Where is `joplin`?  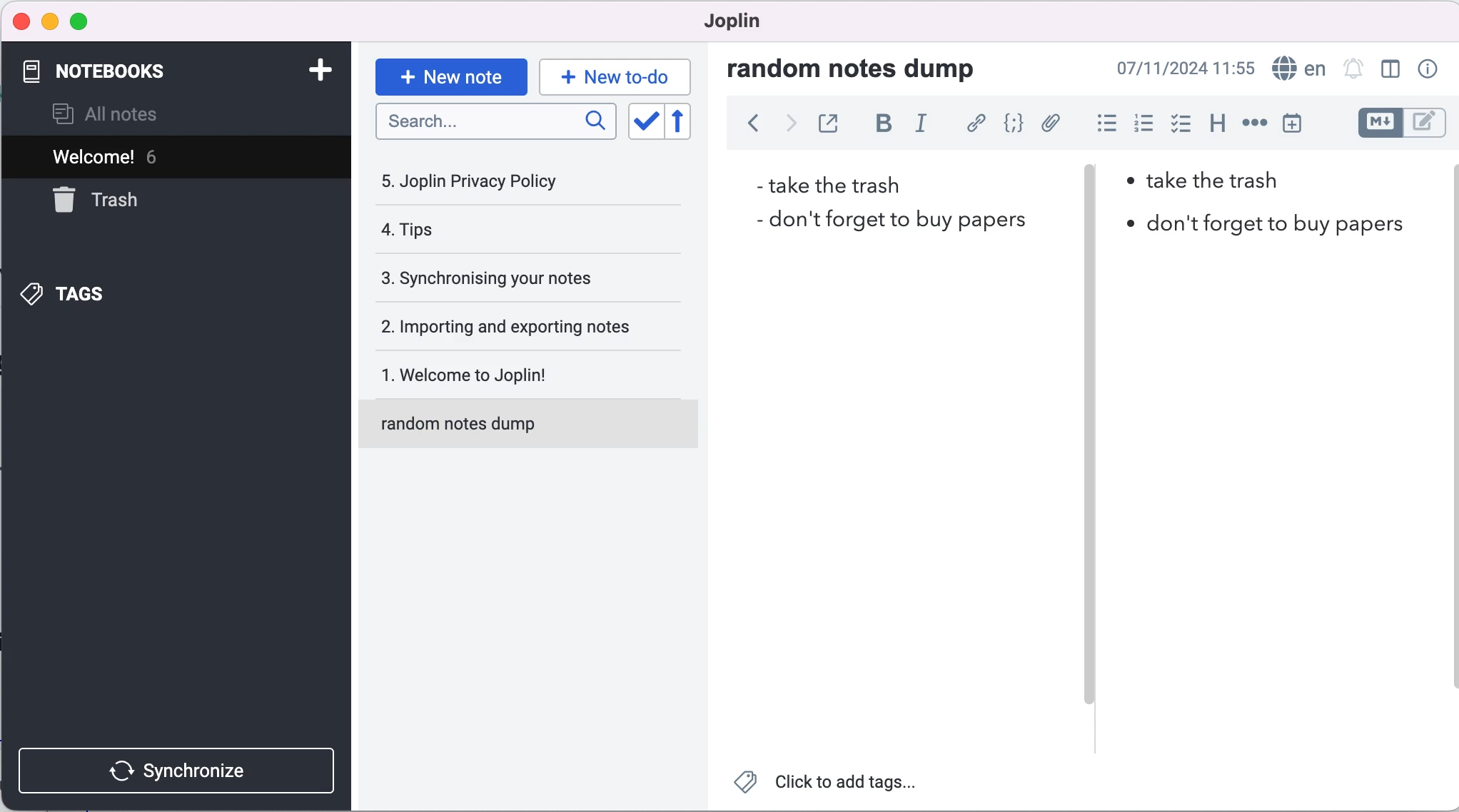
joplin is located at coordinates (739, 25).